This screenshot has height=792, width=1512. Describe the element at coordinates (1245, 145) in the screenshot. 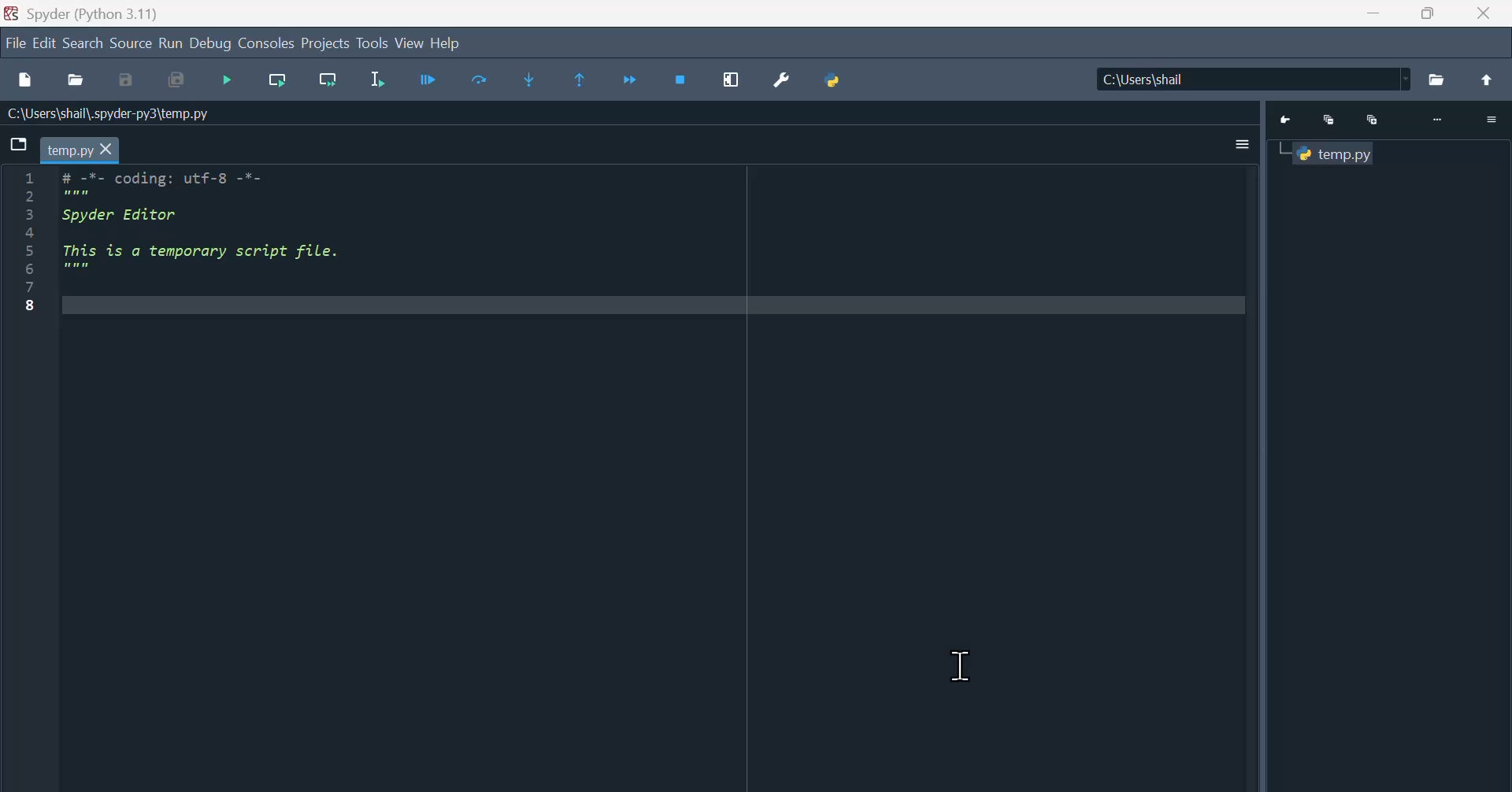

I see `More options` at that location.